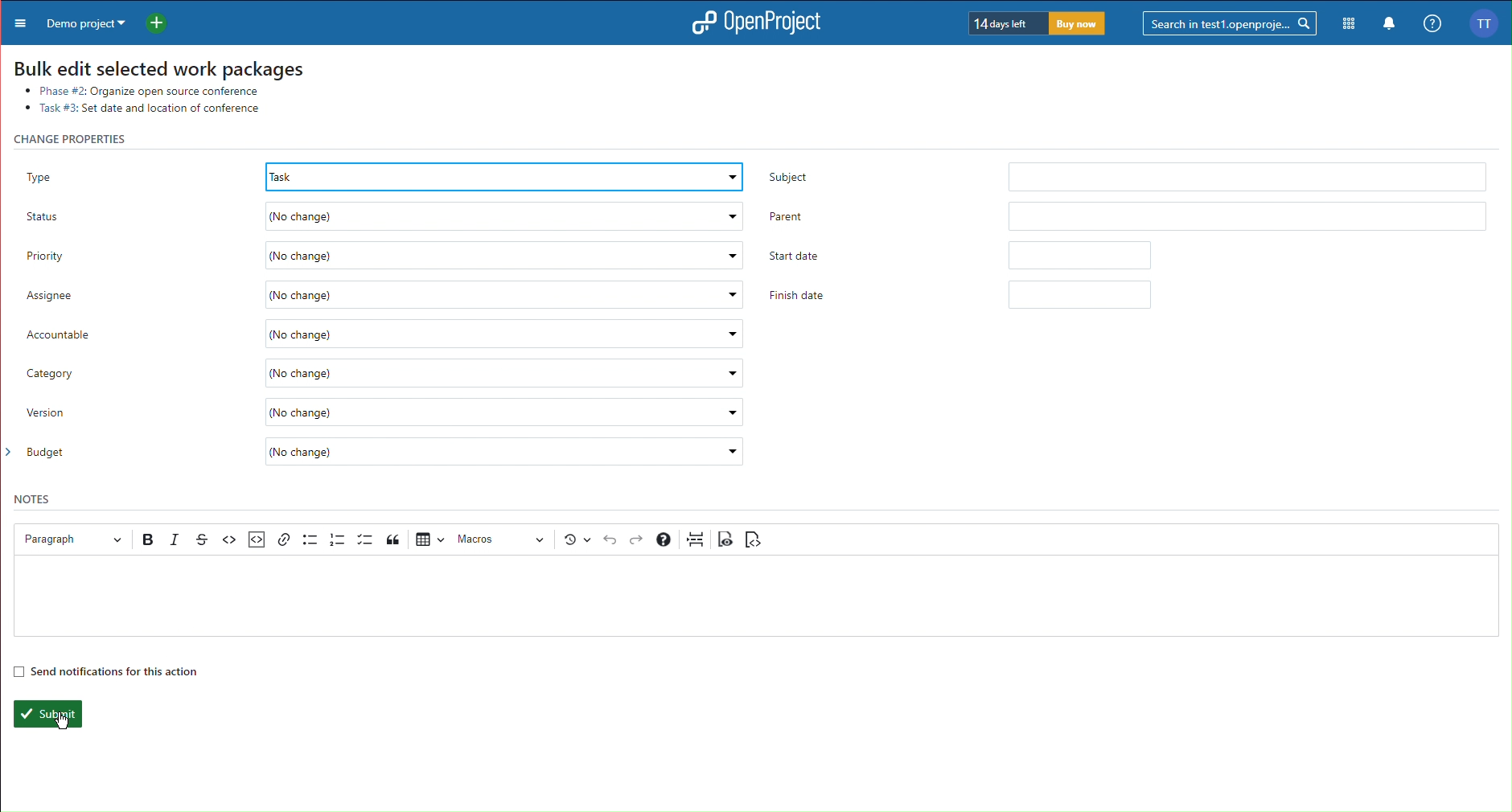 The width and height of the screenshot is (1512, 812). I want to click on Bulk edit selected work packages, so click(158, 64).